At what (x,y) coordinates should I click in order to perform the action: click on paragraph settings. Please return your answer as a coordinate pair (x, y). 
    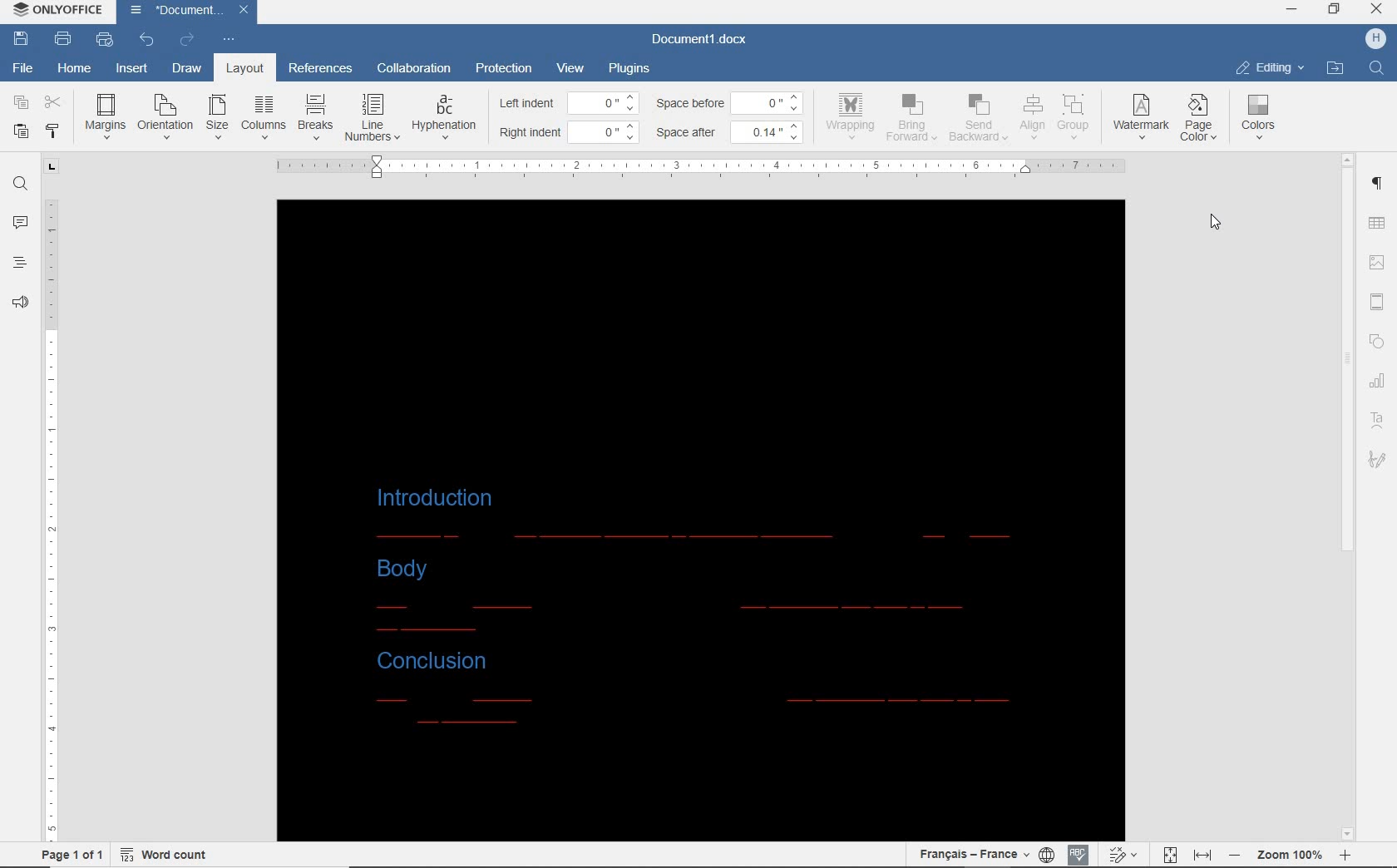
    Looking at the image, I should click on (1379, 186).